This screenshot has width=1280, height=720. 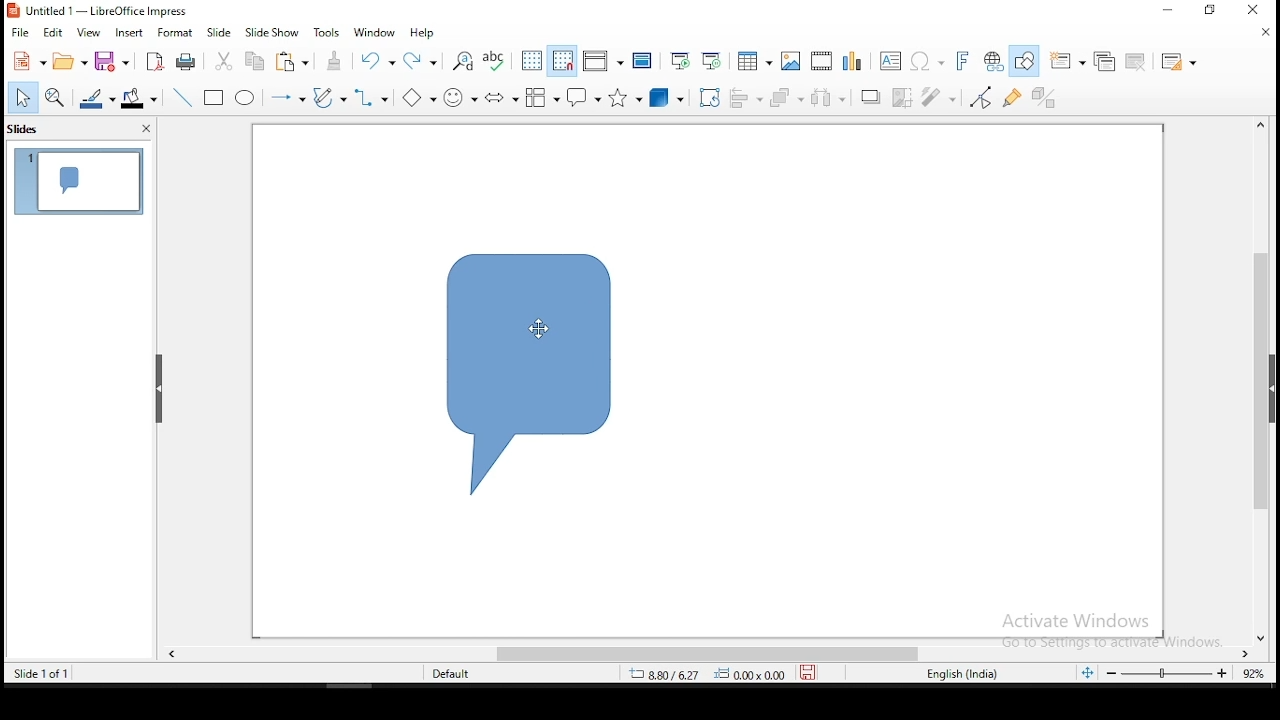 I want to click on zoom level, so click(x=1251, y=672).